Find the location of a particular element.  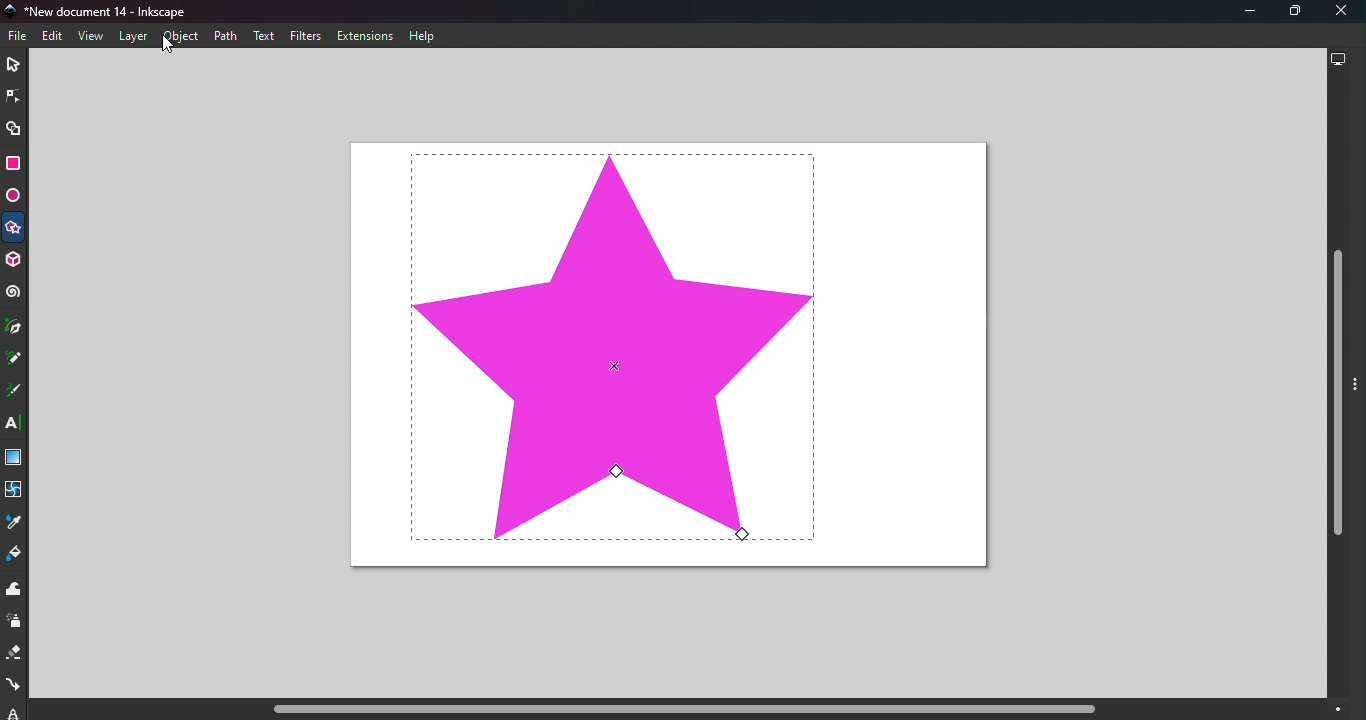

Extensions is located at coordinates (369, 36).